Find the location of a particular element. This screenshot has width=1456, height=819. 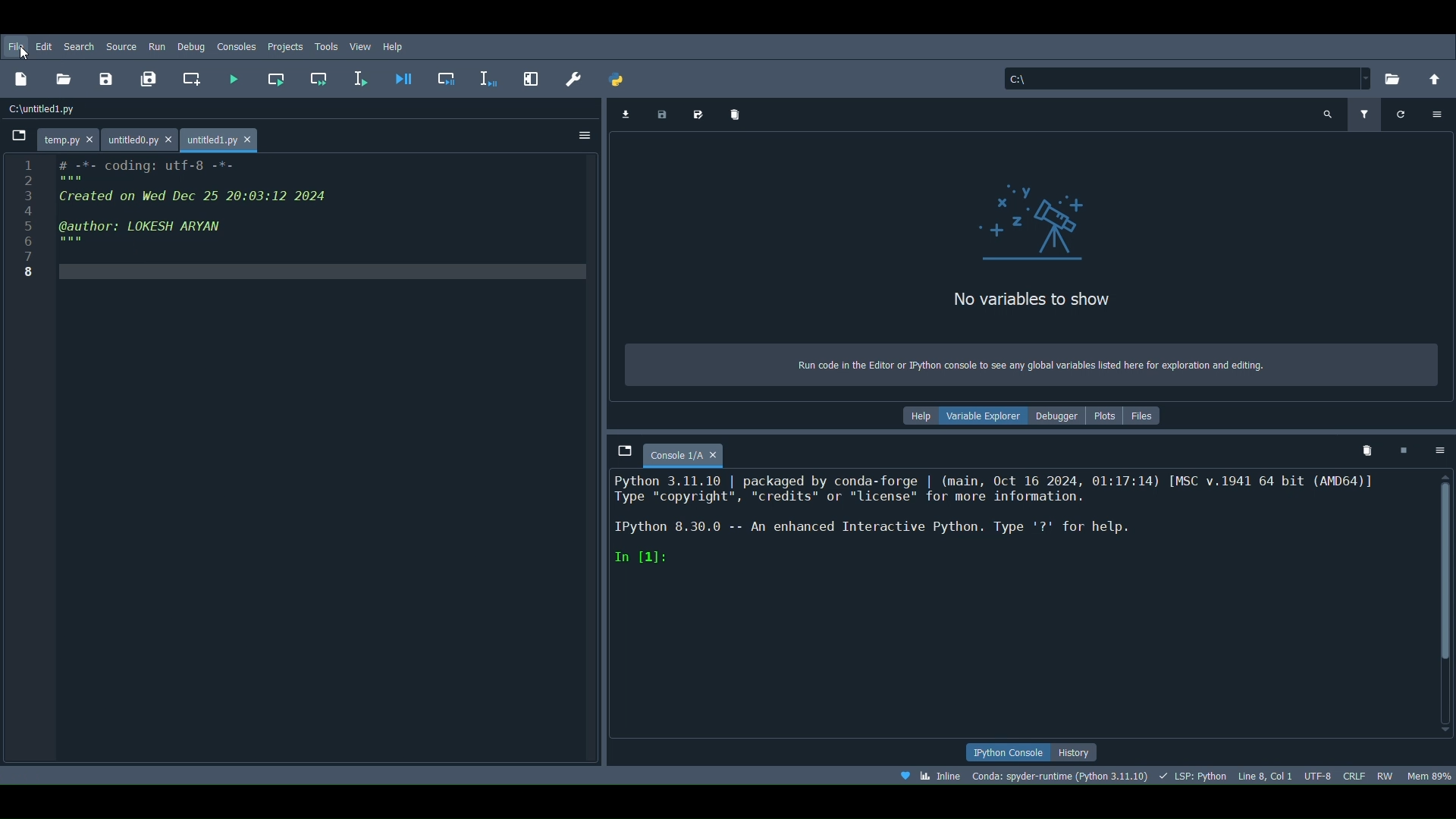

Scrollbar is located at coordinates (1447, 604).